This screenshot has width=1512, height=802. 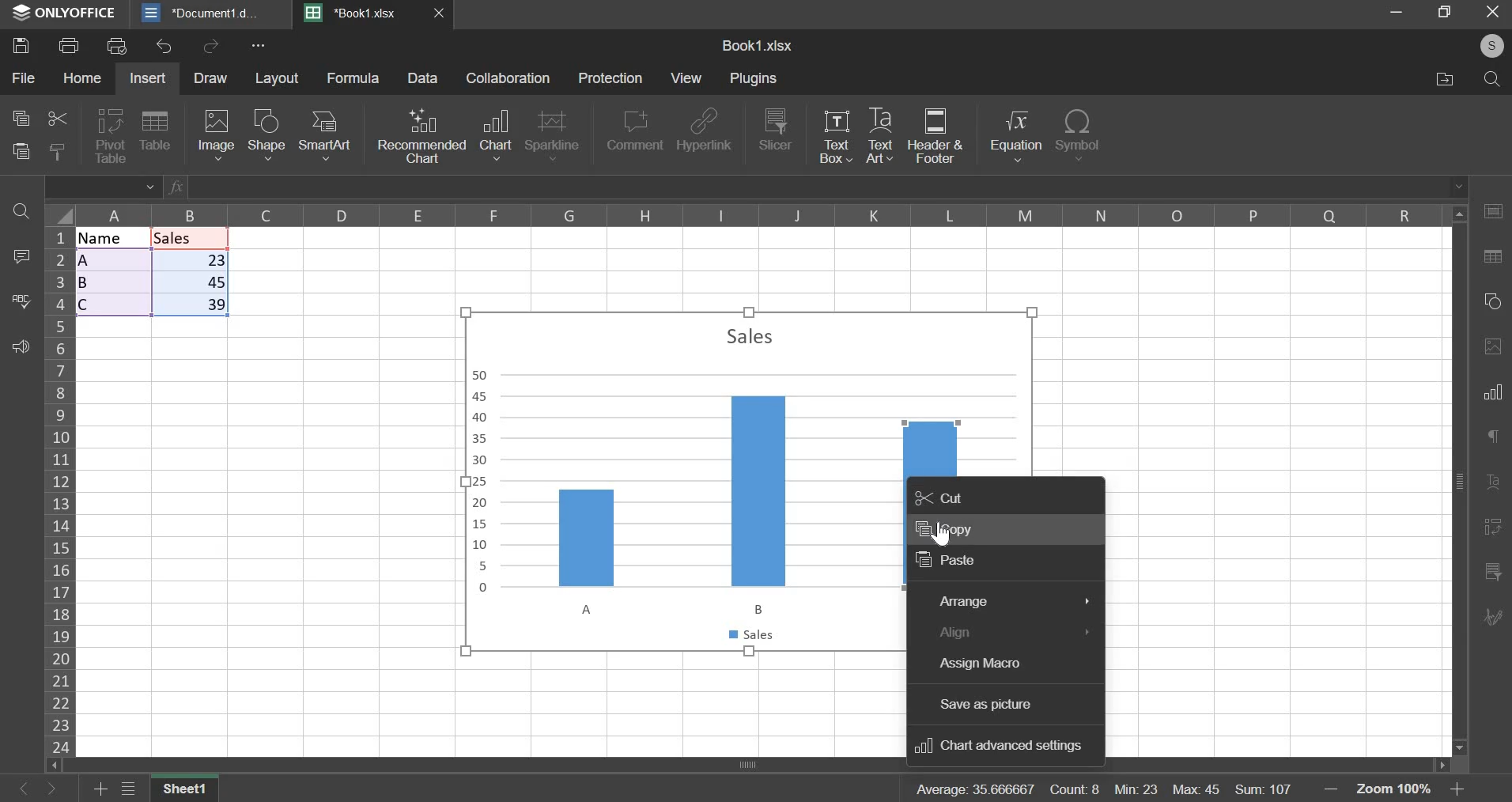 What do you see at coordinates (610, 78) in the screenshot?
I see `protection` at bounding box center [610, 78].